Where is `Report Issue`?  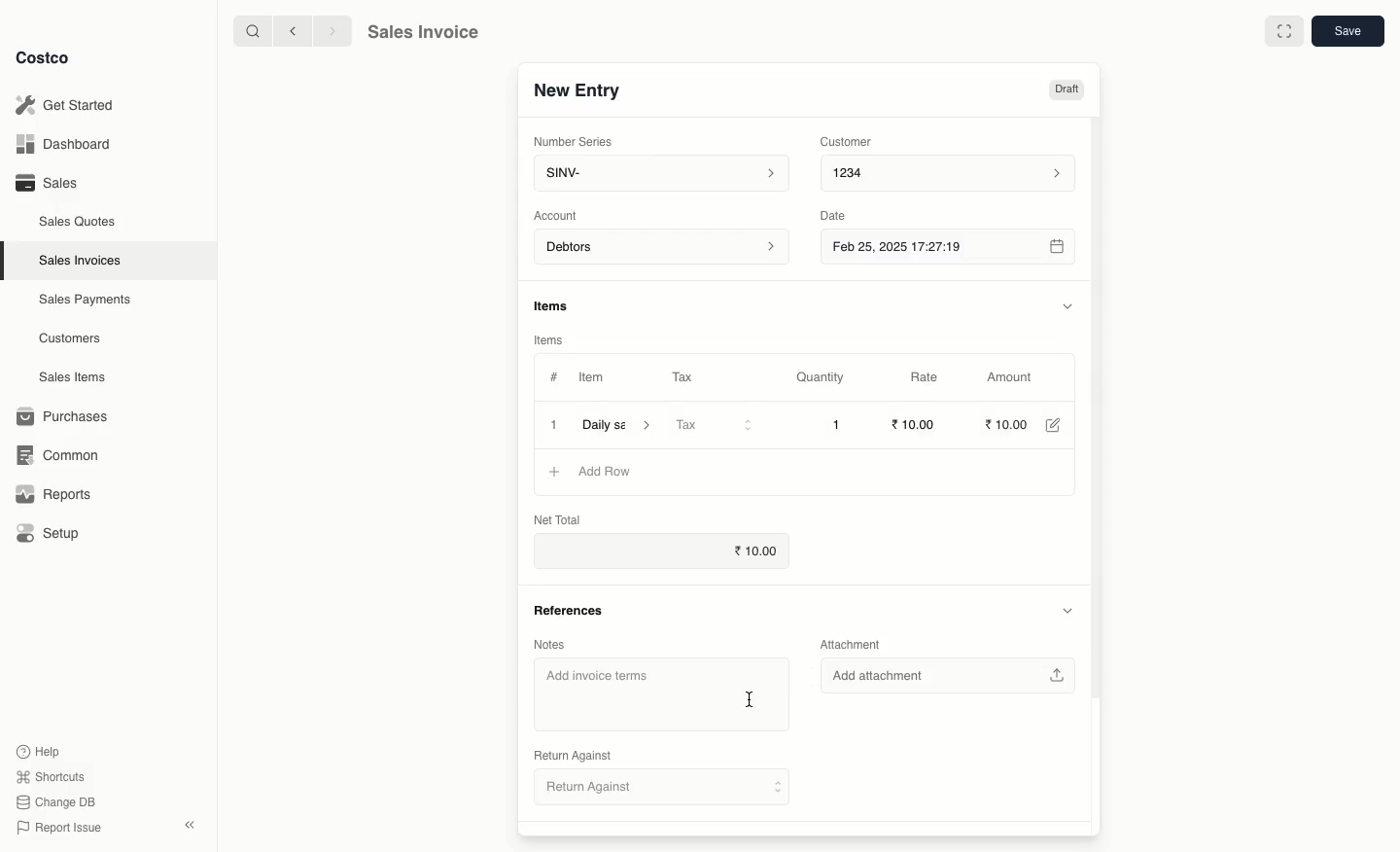
Report Issue is located at coordinates (61, 828).